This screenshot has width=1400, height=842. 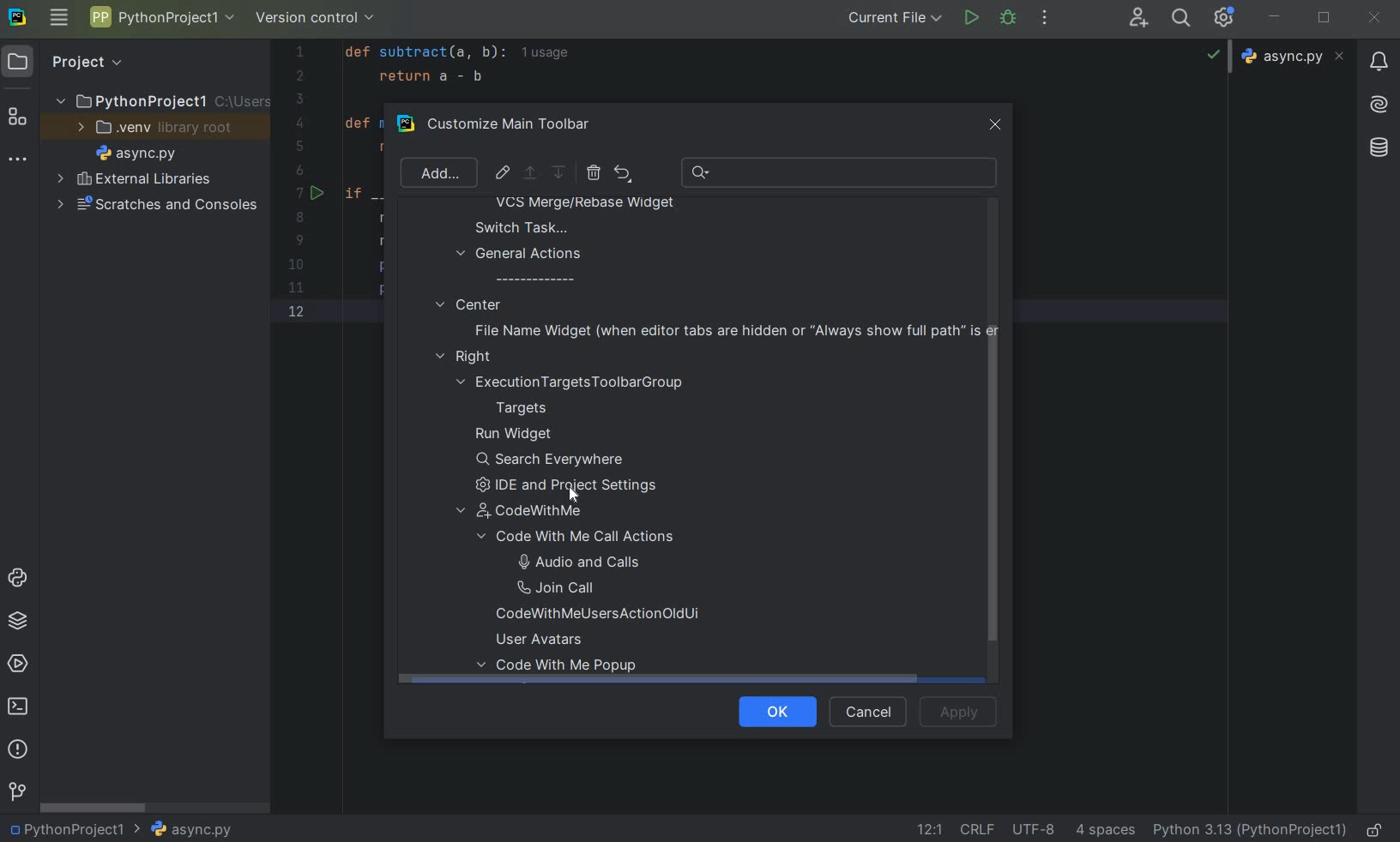 What do you see at coordinates (514, 435) in the screenshot?
I see `run widget` at bounding box center [514, 435].